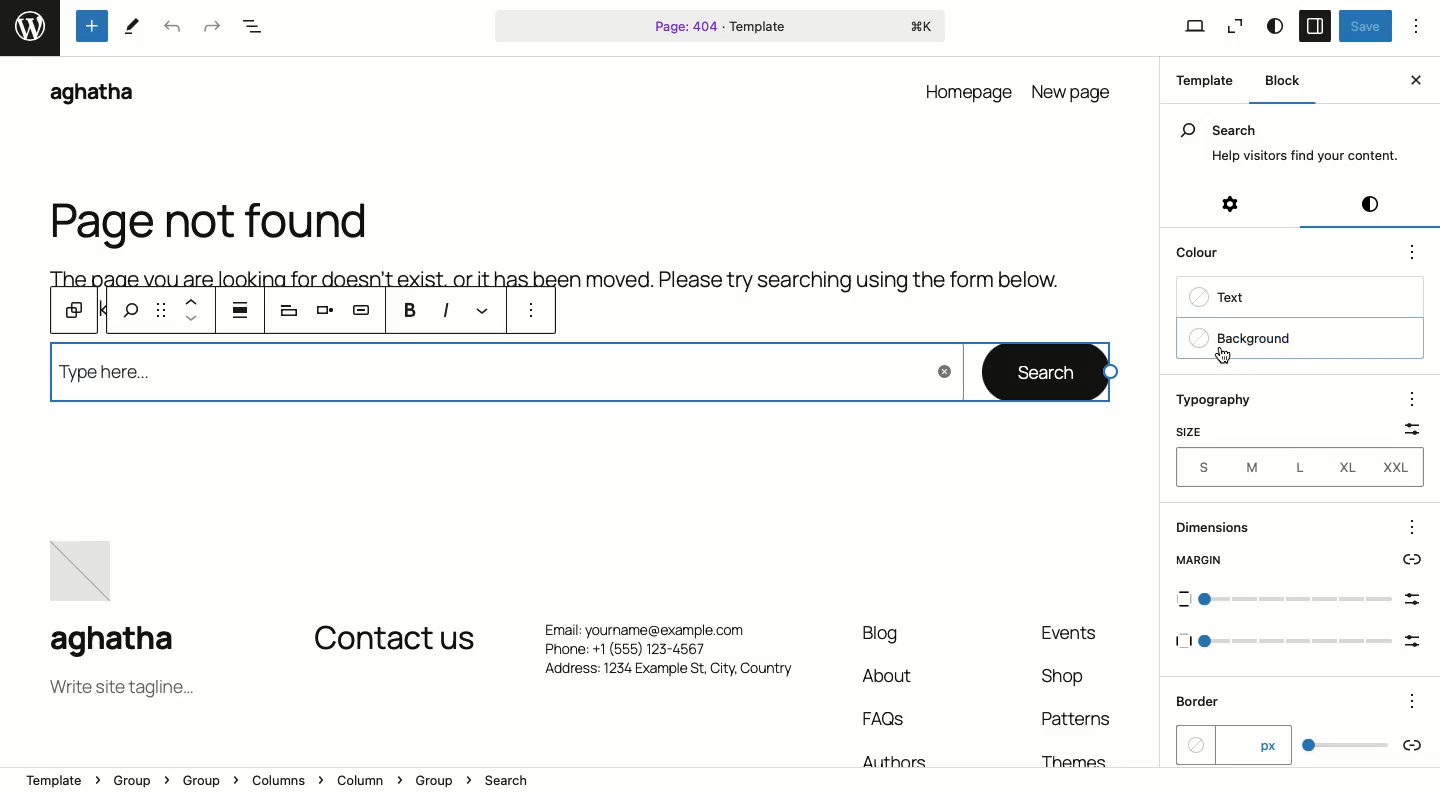  What do you see at coordinates (1304, 643) in the screenshot?
I see `` at bounding box center [1304, 643].